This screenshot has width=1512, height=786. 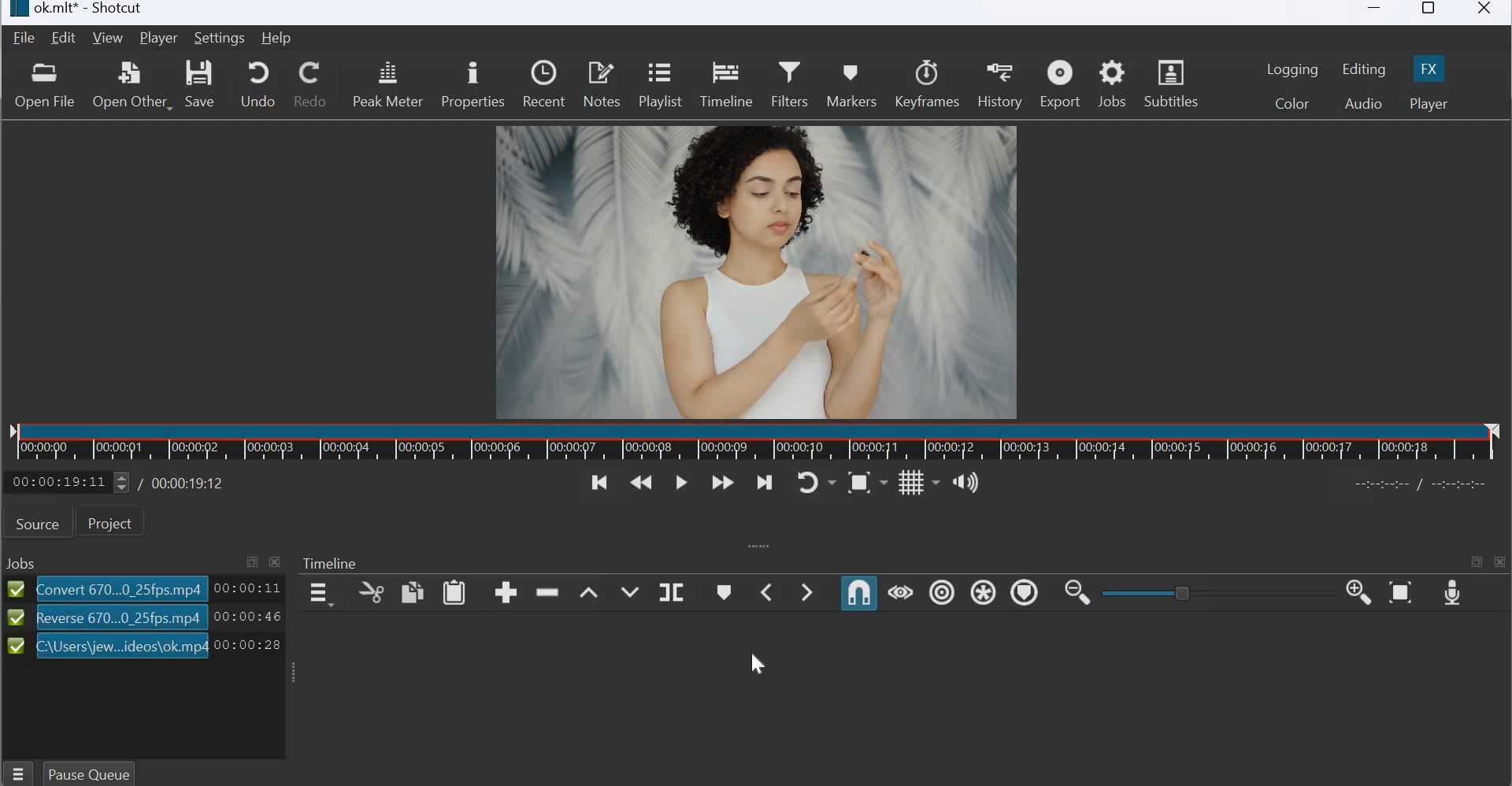 I want to click on duration, so click(x=250, y=646).